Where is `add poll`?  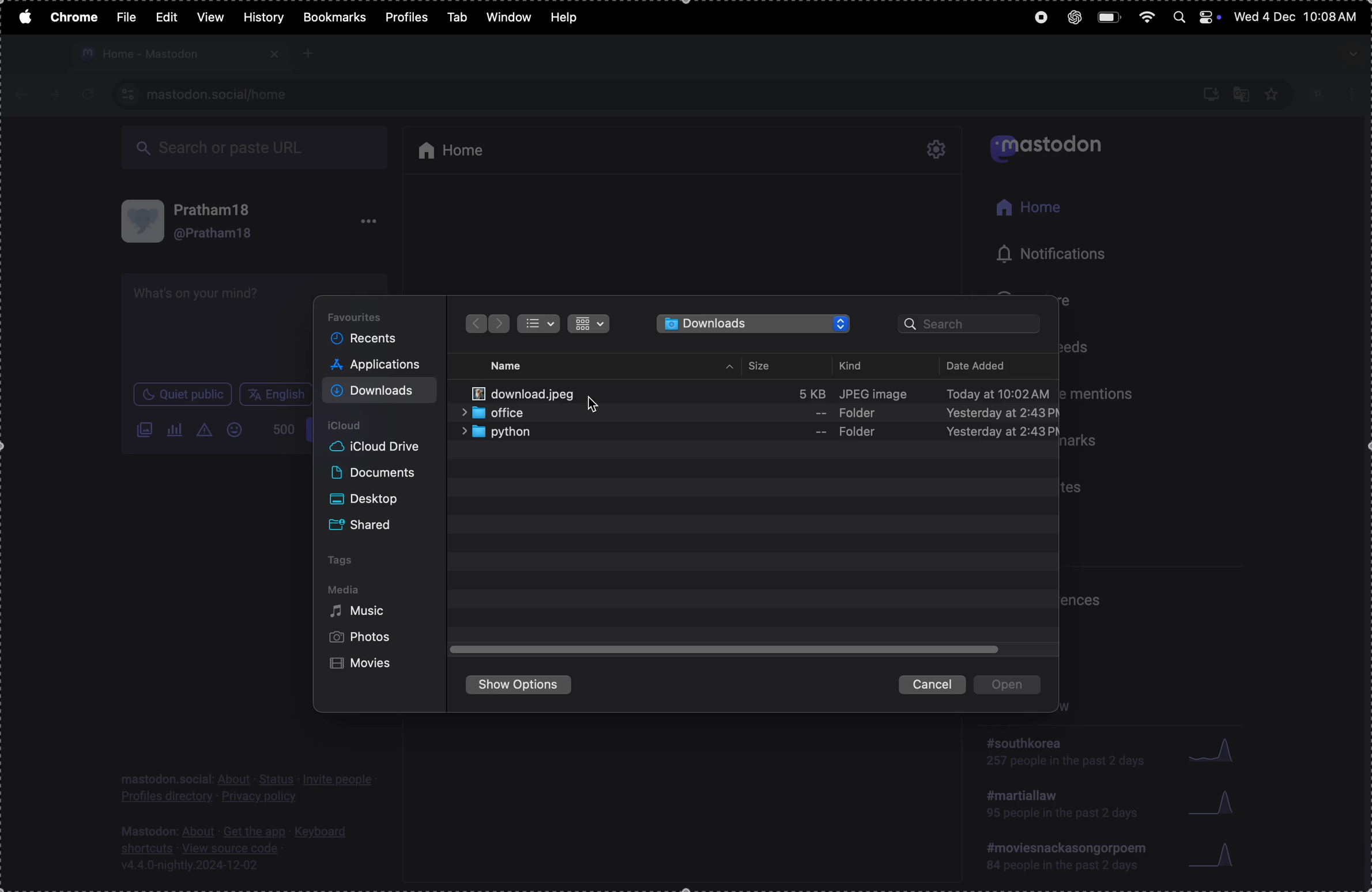 add poll is located at coordinates (176, 429).